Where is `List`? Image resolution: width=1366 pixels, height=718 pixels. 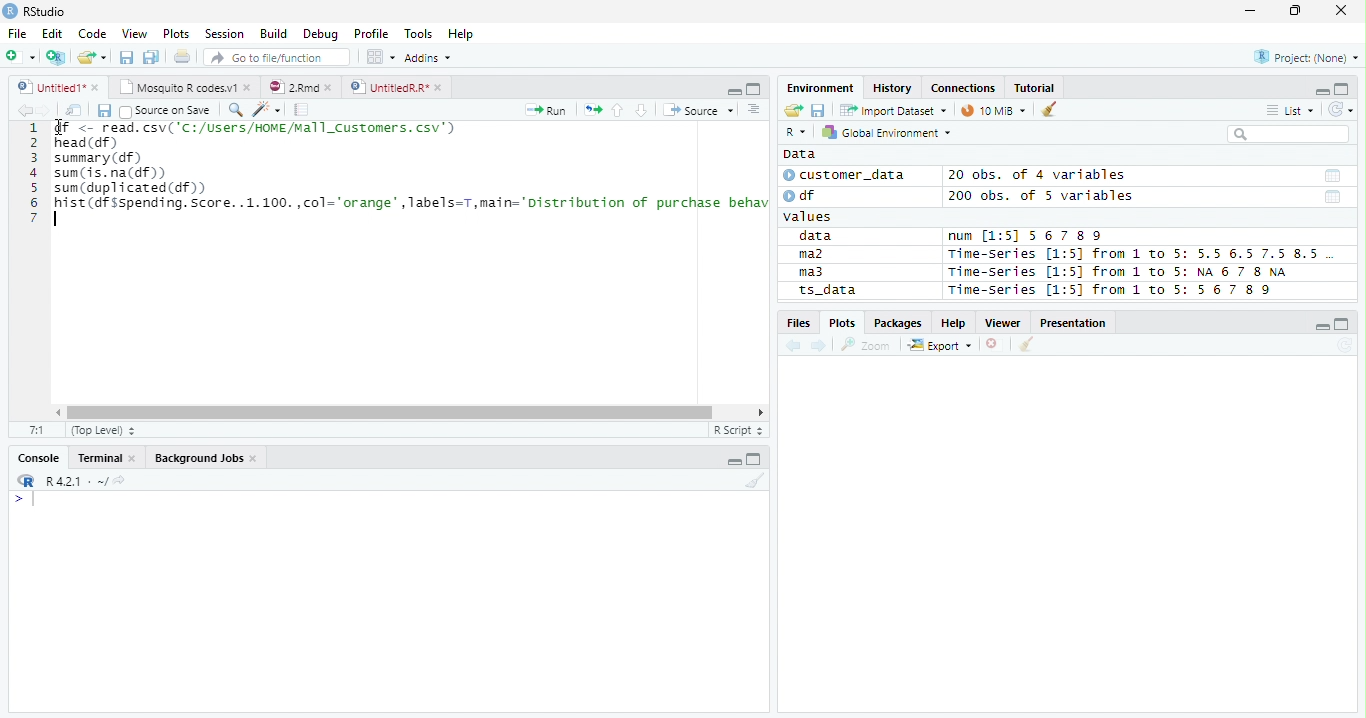
List is located at coordinates (1289, 111).